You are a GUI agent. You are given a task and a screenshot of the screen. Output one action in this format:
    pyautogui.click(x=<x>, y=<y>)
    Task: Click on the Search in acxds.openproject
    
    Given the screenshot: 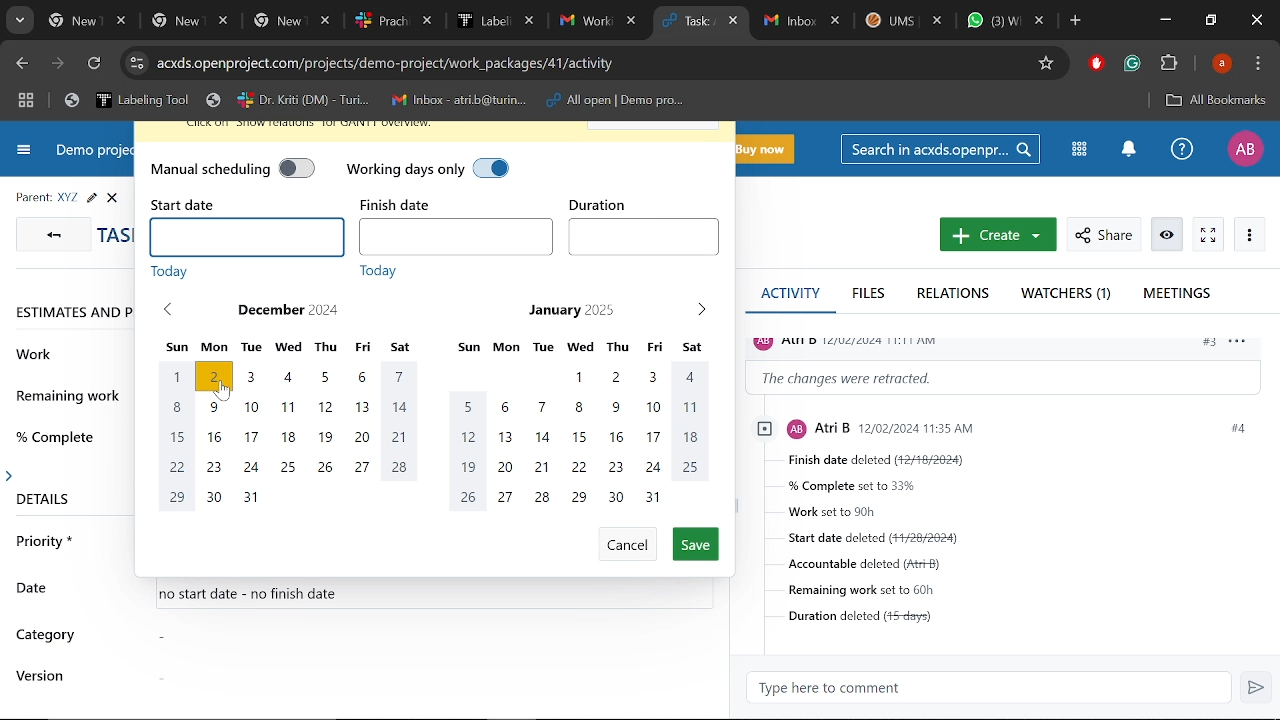 What is the action you would take?
    pyautogui.click(x=940, y=149)
    